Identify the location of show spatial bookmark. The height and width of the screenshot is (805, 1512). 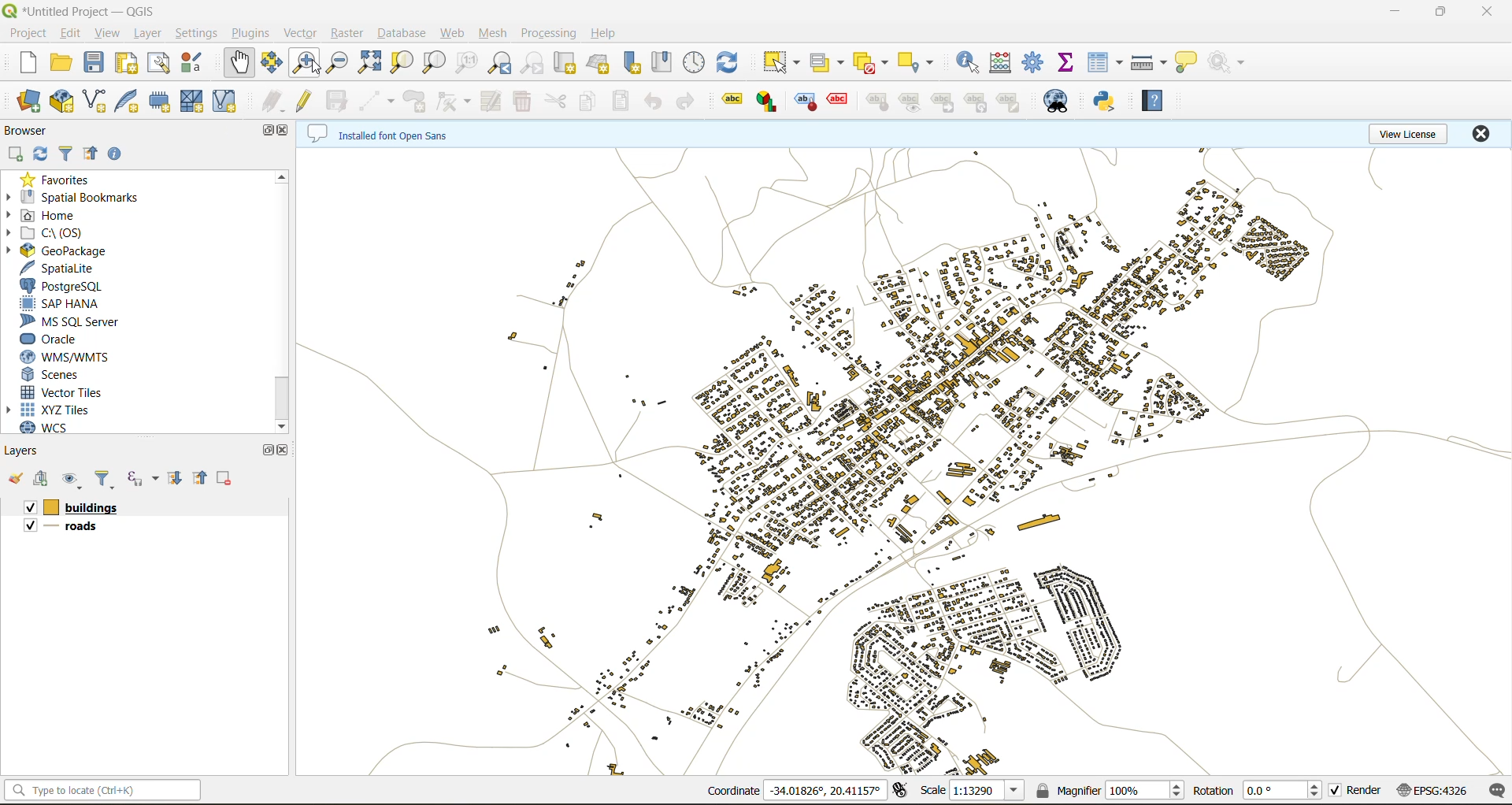
(665, 62).